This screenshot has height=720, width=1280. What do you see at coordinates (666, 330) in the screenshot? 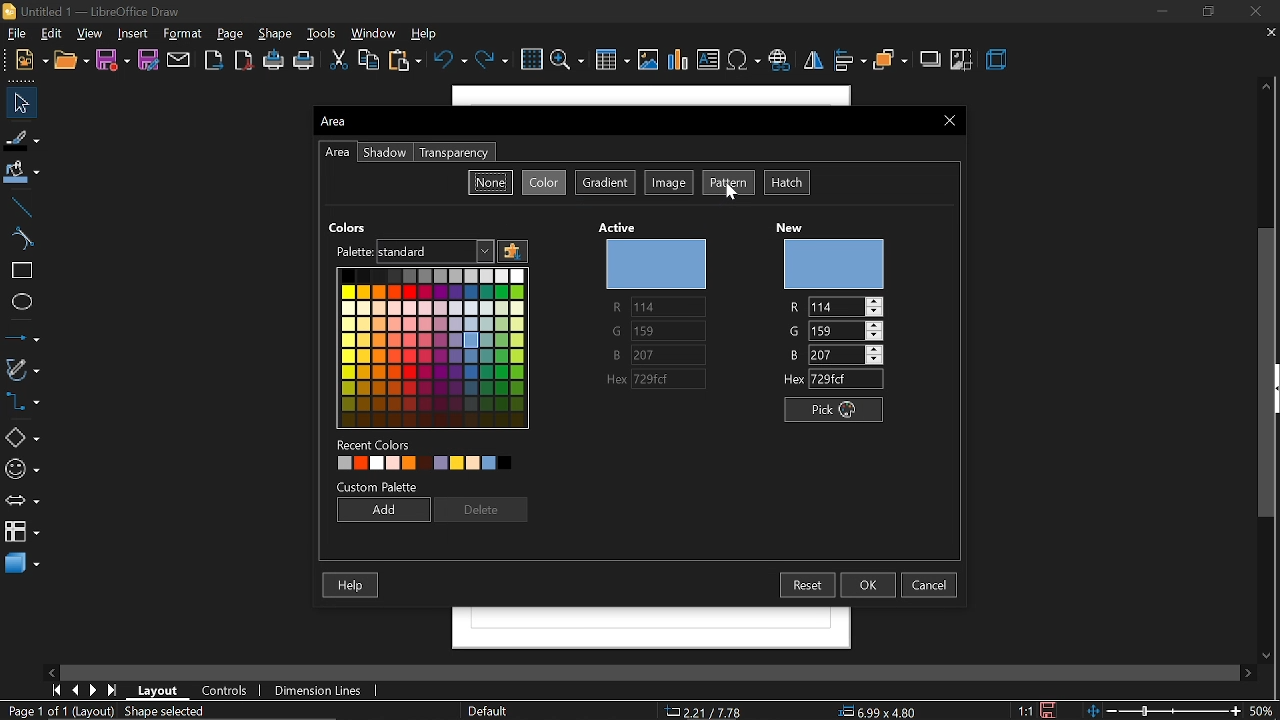
I see `159` at bounding box center [666, 330].